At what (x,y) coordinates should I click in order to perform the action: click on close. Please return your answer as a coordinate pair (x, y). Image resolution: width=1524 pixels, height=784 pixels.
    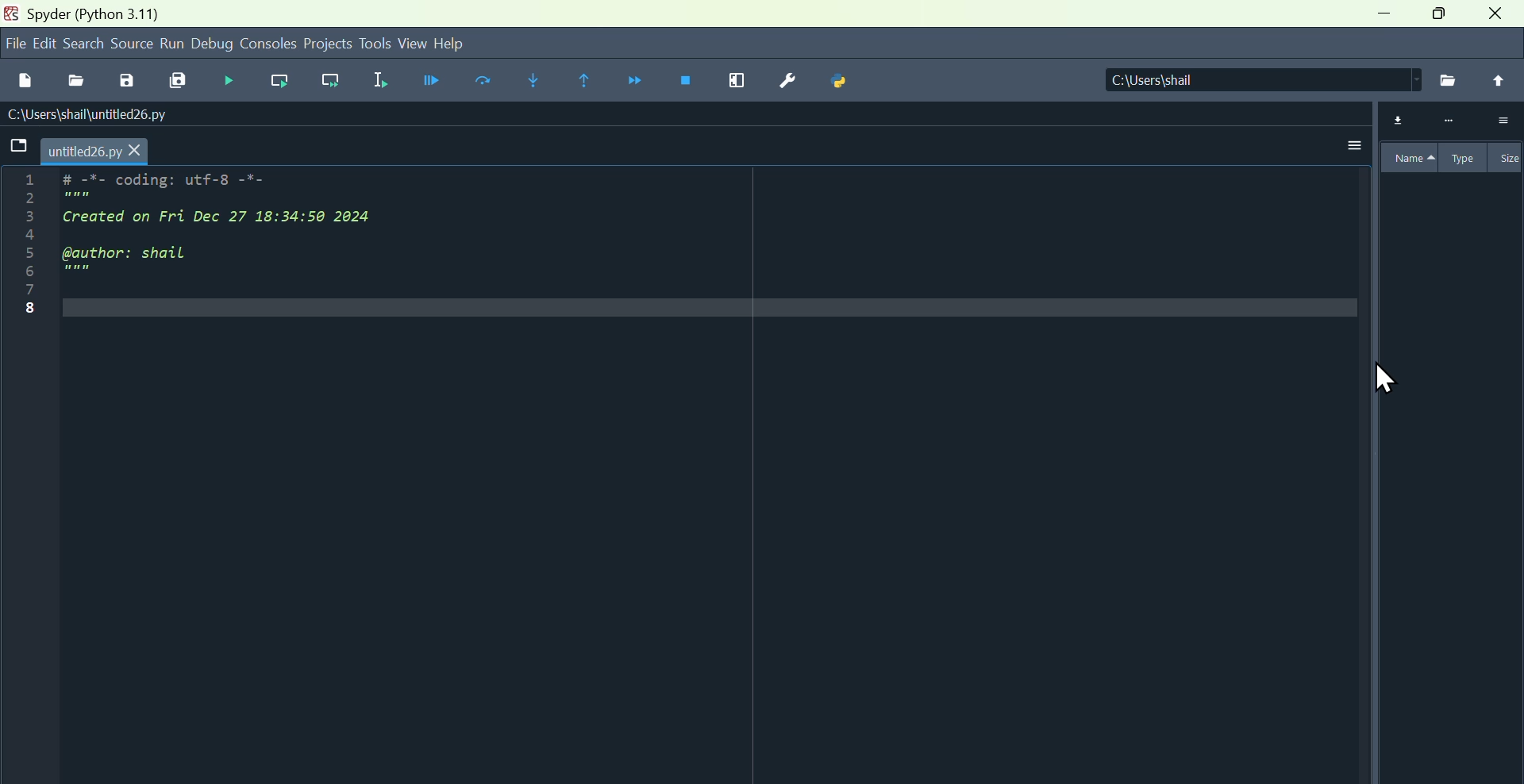
    Looking at the image, I should click on (1499, 17).